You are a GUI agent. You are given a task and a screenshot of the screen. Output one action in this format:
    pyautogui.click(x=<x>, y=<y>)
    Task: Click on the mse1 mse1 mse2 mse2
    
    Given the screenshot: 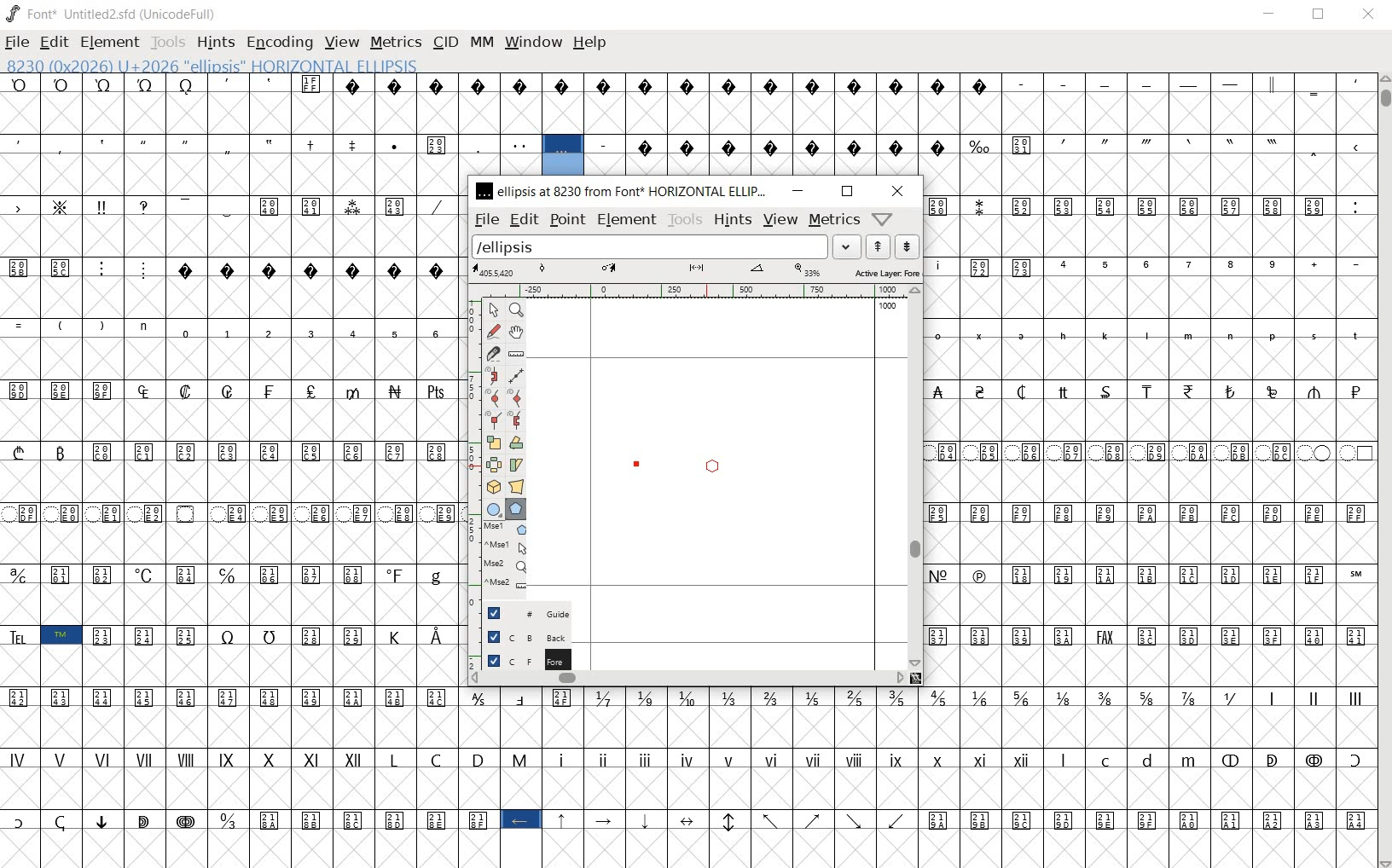 What is the action you would take?
    pyautogui.click(x=500, y=557)
    